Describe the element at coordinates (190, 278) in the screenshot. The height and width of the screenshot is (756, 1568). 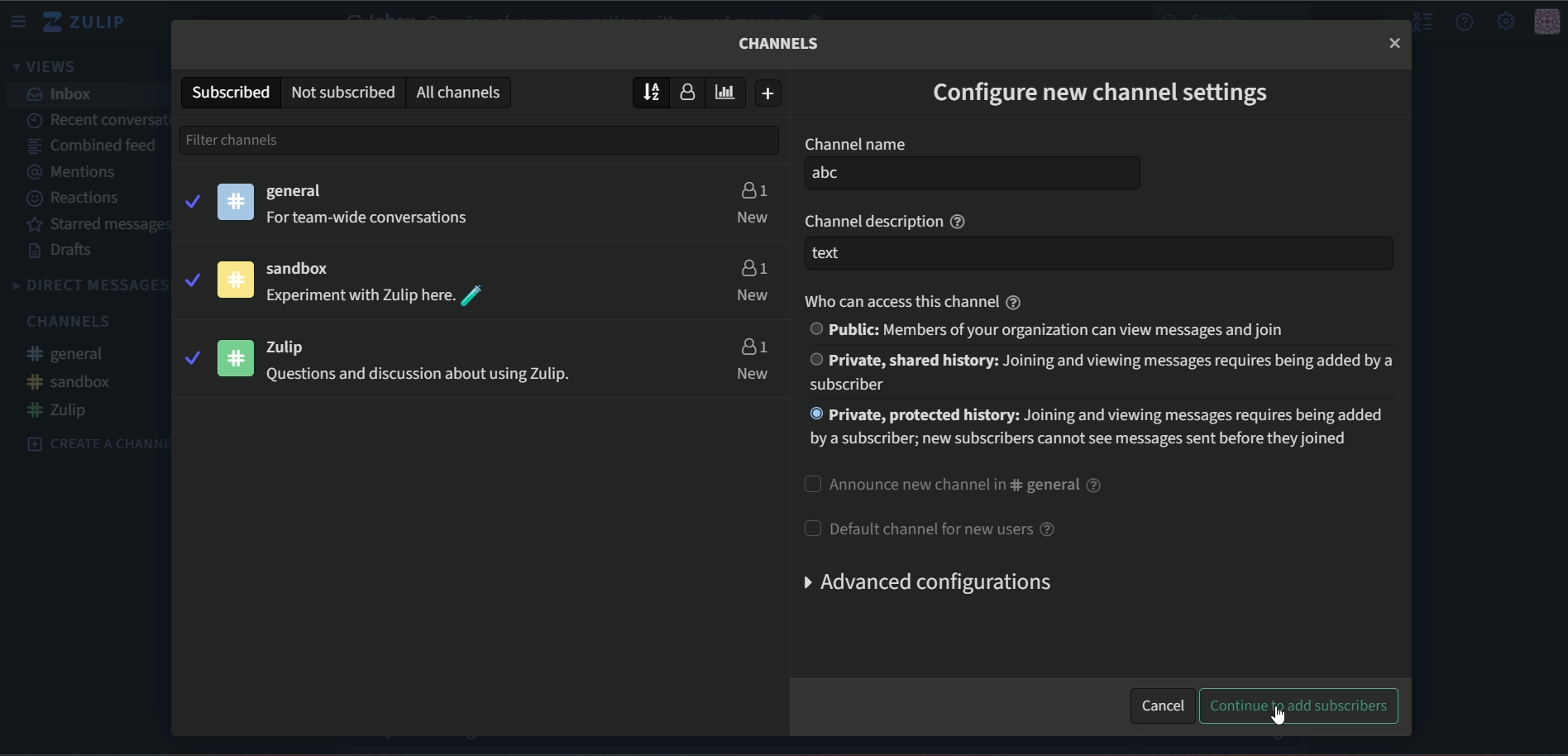
I see `tick` at that location.